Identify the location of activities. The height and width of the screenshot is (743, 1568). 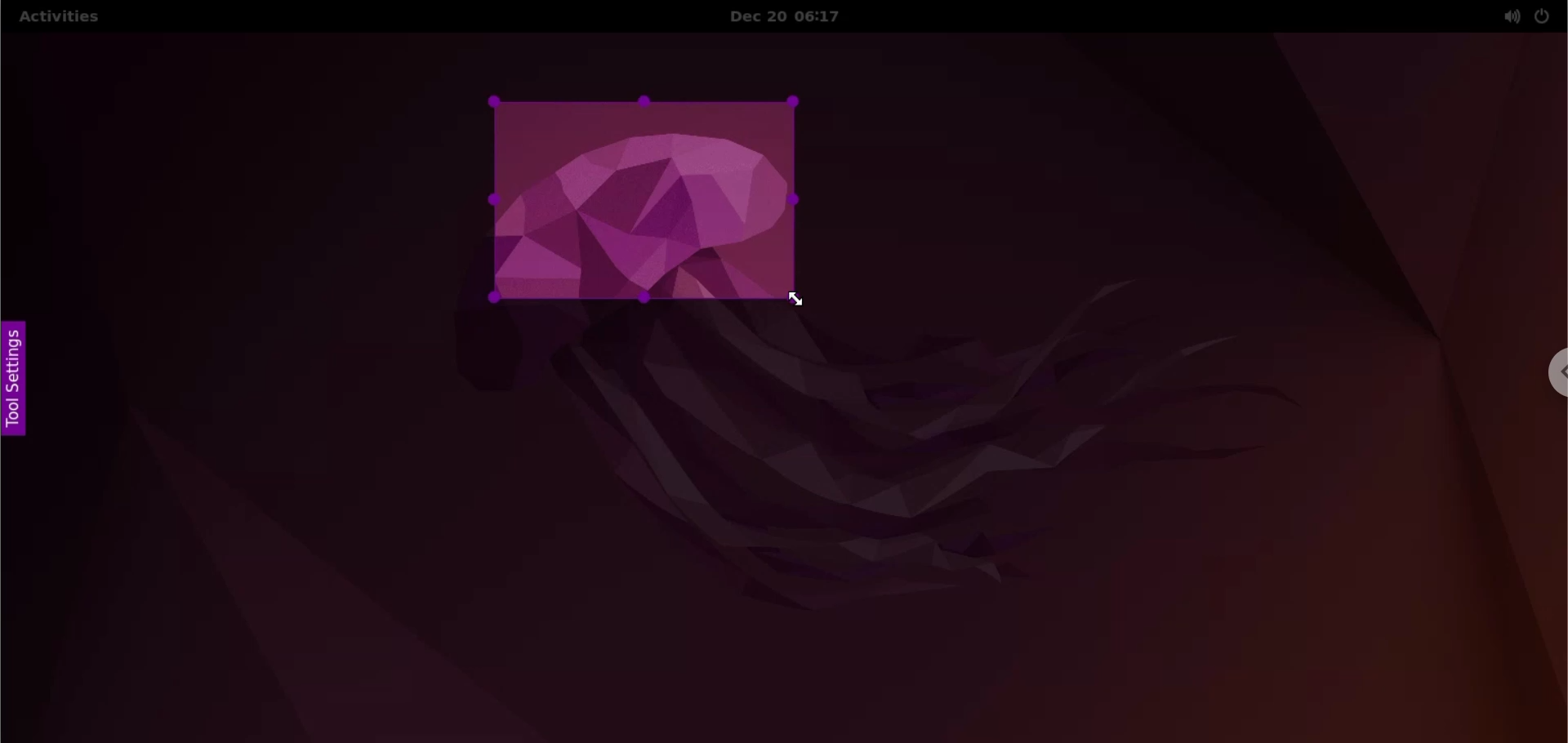
(58, 19).